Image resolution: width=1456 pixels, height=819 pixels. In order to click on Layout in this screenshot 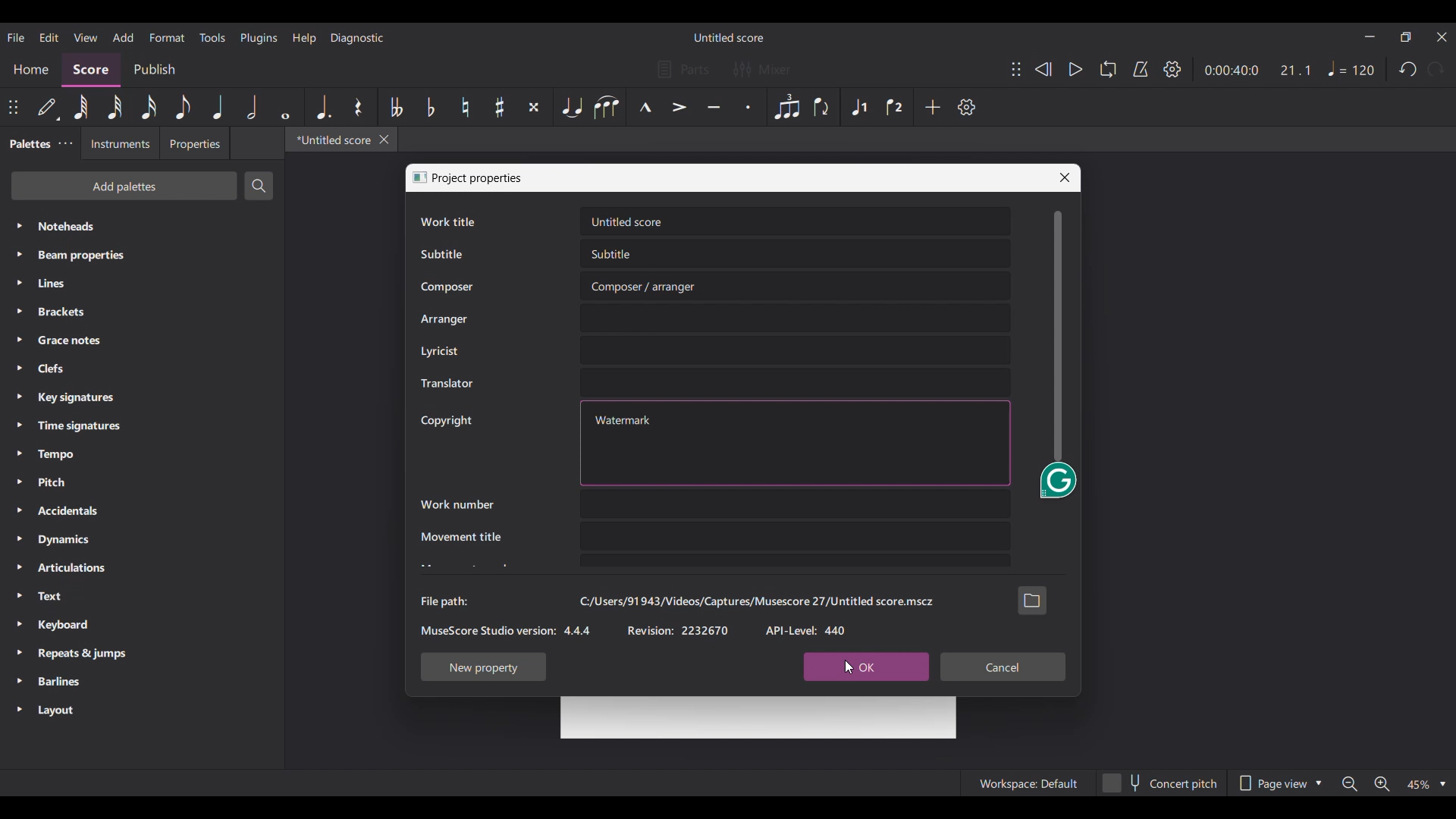, I will do `click(142, 711)`.